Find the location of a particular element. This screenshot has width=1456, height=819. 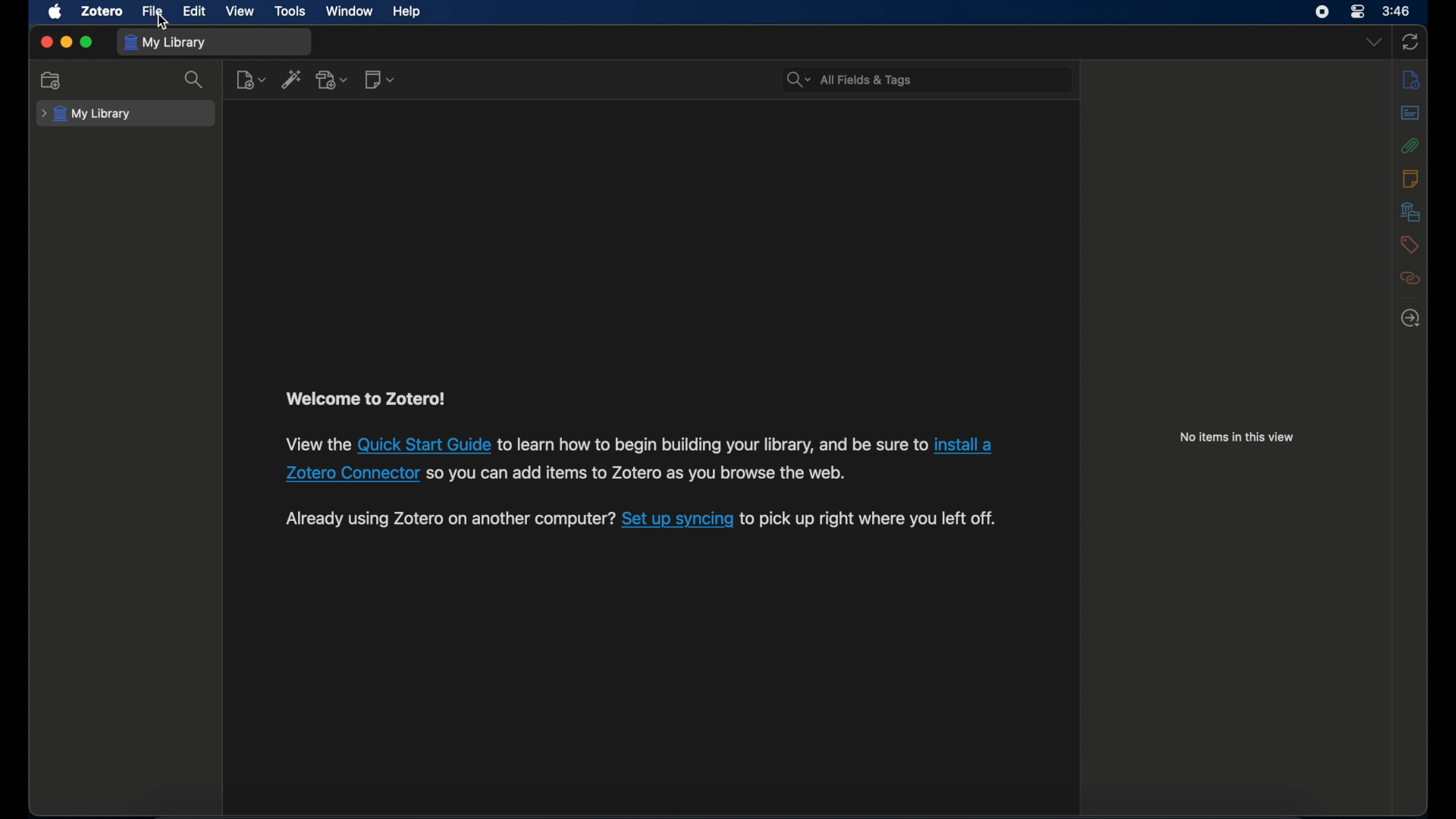

installation instruction is located at coordinates (639, 459).